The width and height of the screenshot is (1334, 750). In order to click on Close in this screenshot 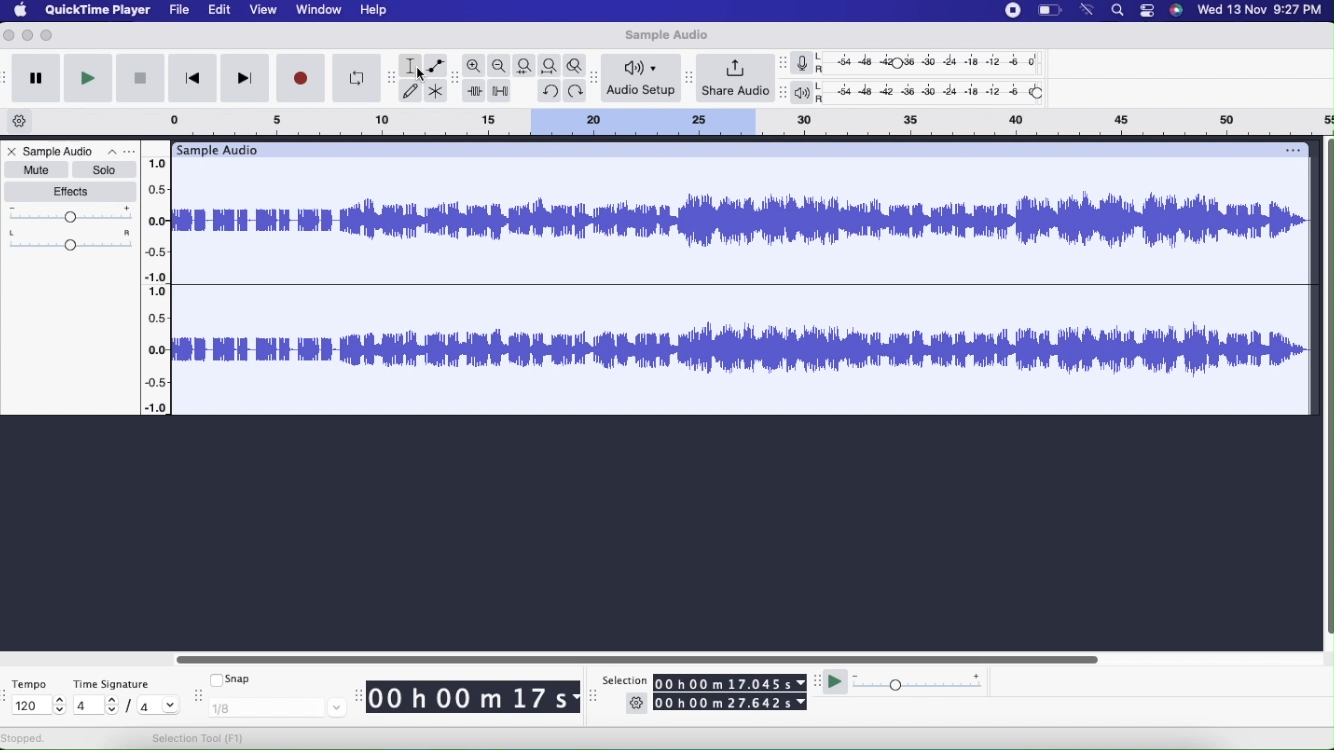, I will do `click(10, 36)`.